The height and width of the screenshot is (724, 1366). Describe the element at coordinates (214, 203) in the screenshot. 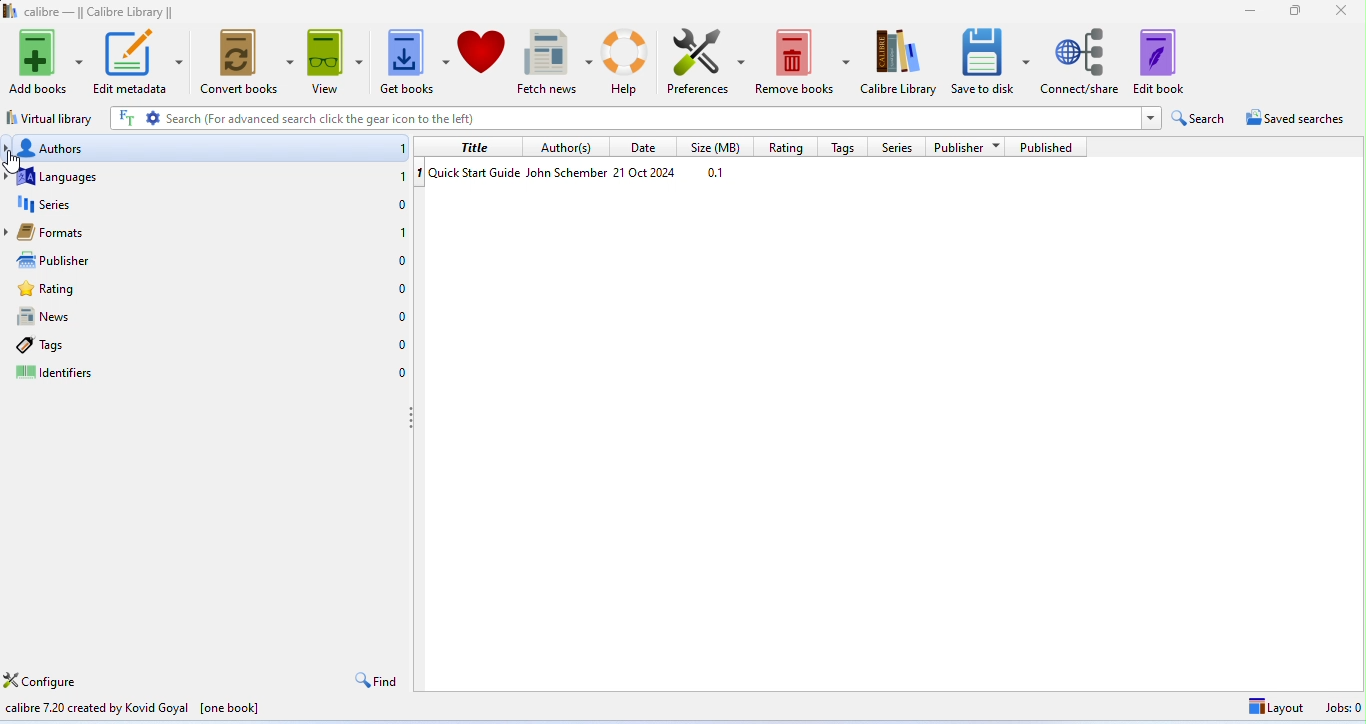

I see `series` at that location.